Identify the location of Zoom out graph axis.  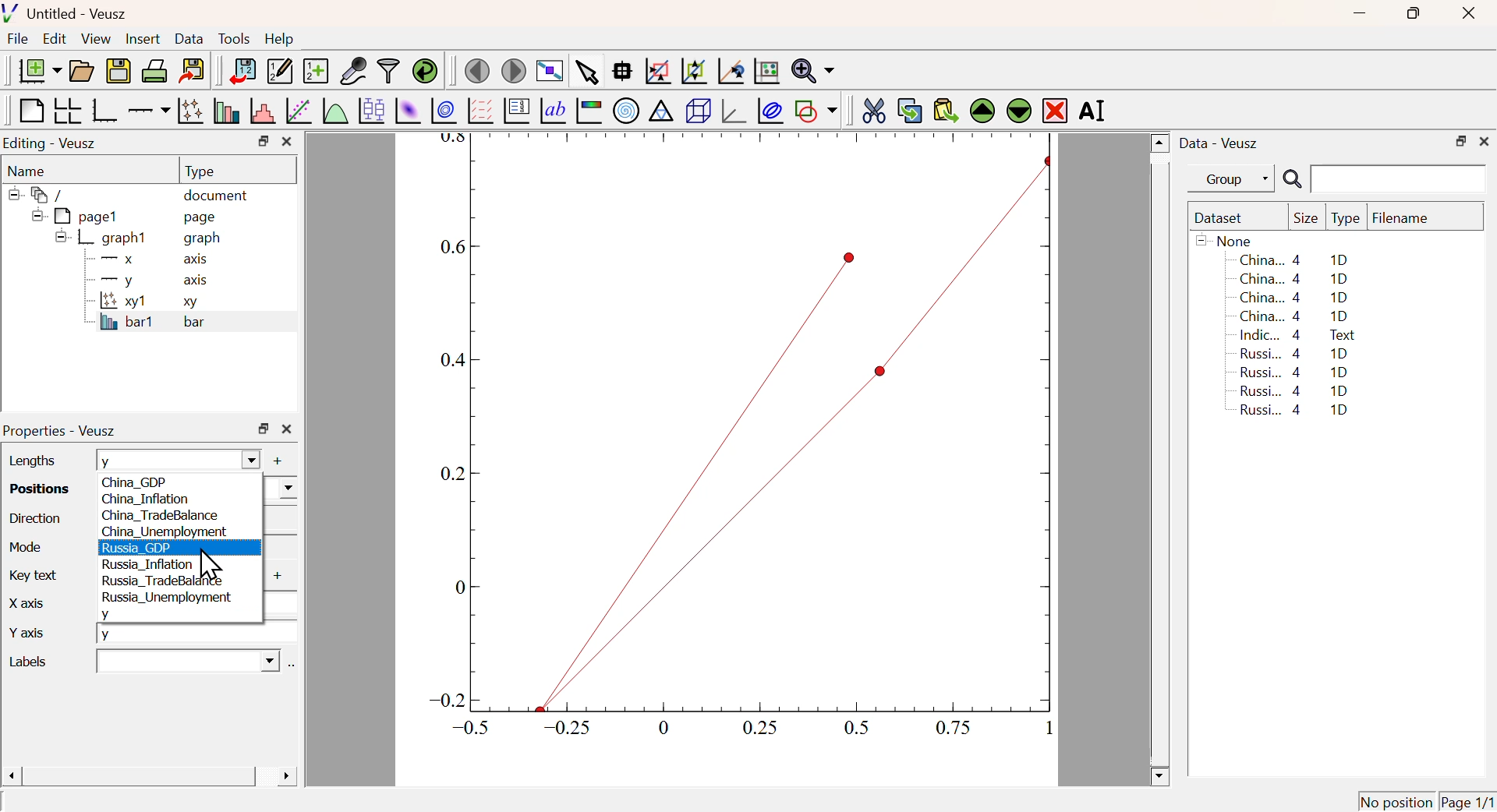
(693, 69).